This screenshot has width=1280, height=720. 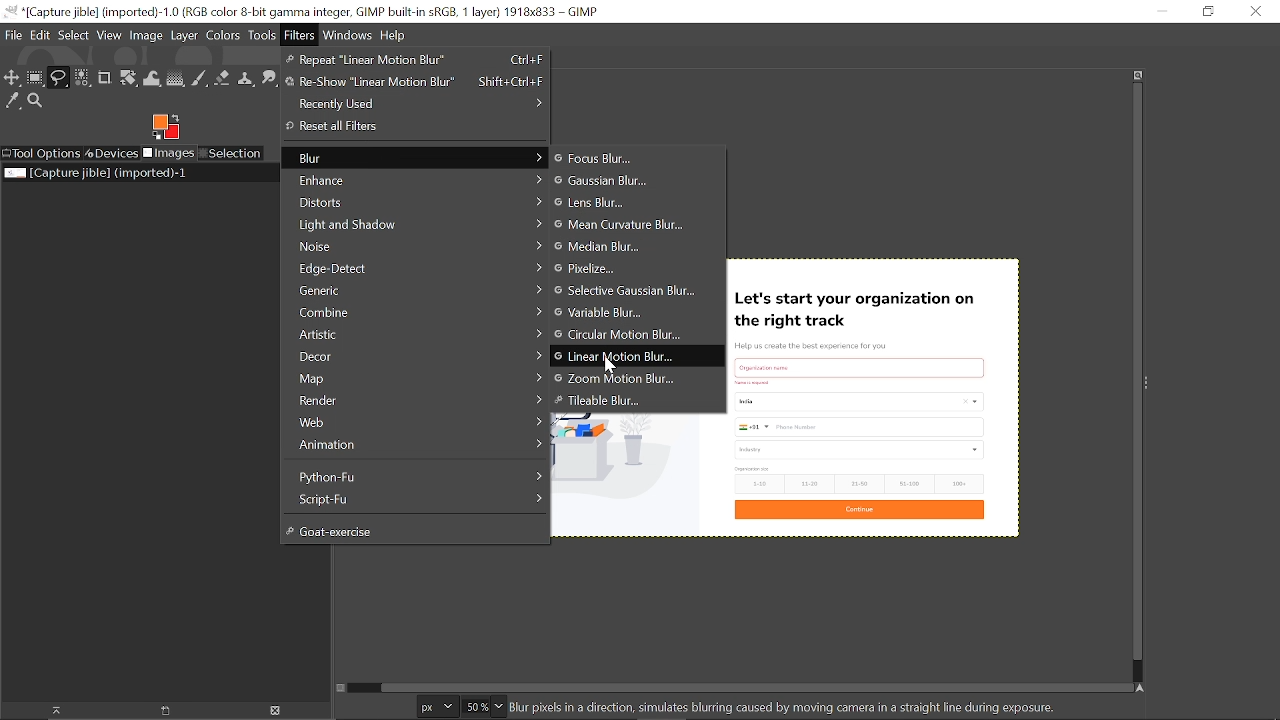 What do you see at coordinates (262, 36) in the screenshot?
I see `Tools` at bounding box center [262, 36].